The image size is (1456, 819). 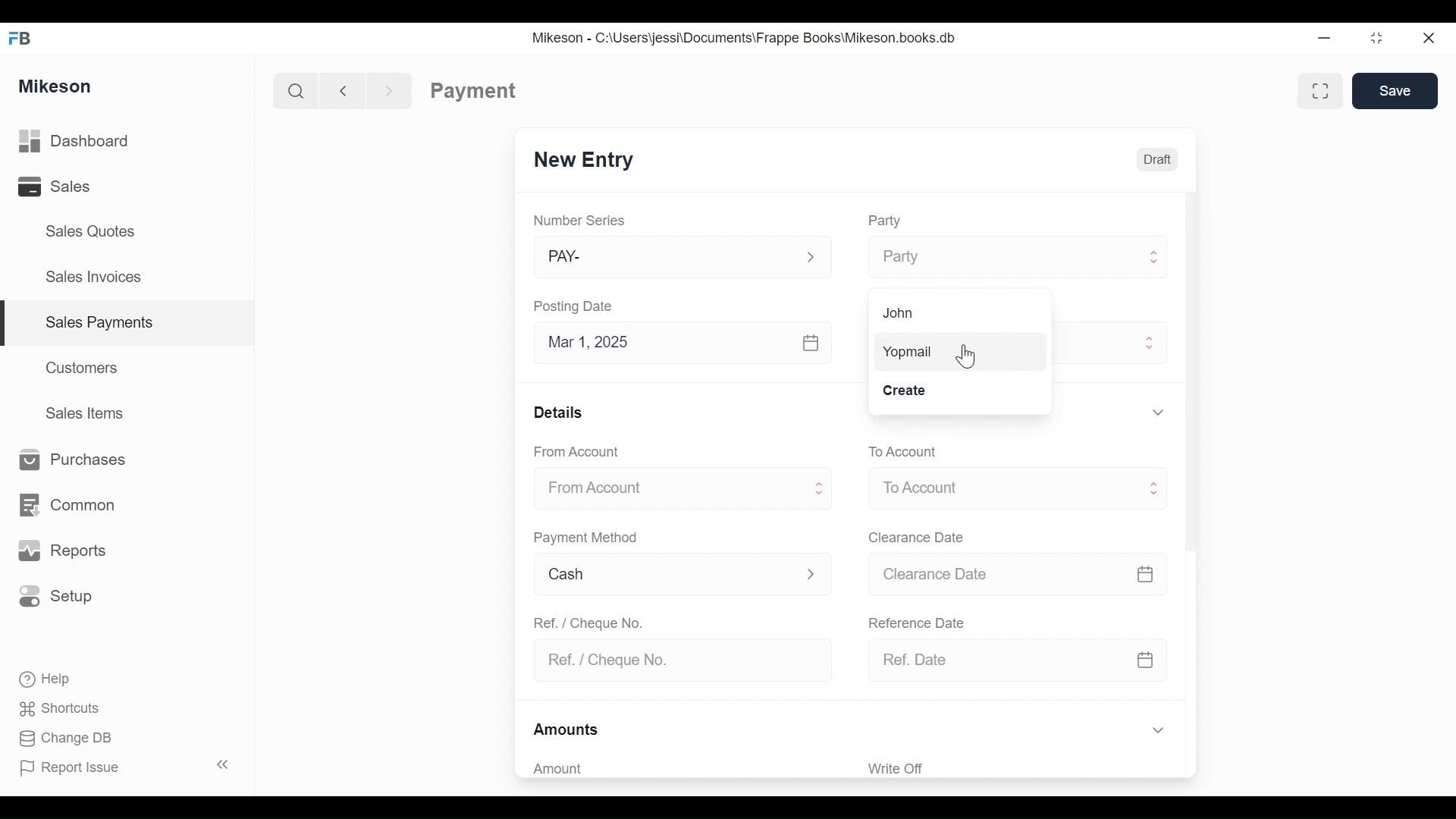 I want to click on Sales Items, so click(x=92, y=414).